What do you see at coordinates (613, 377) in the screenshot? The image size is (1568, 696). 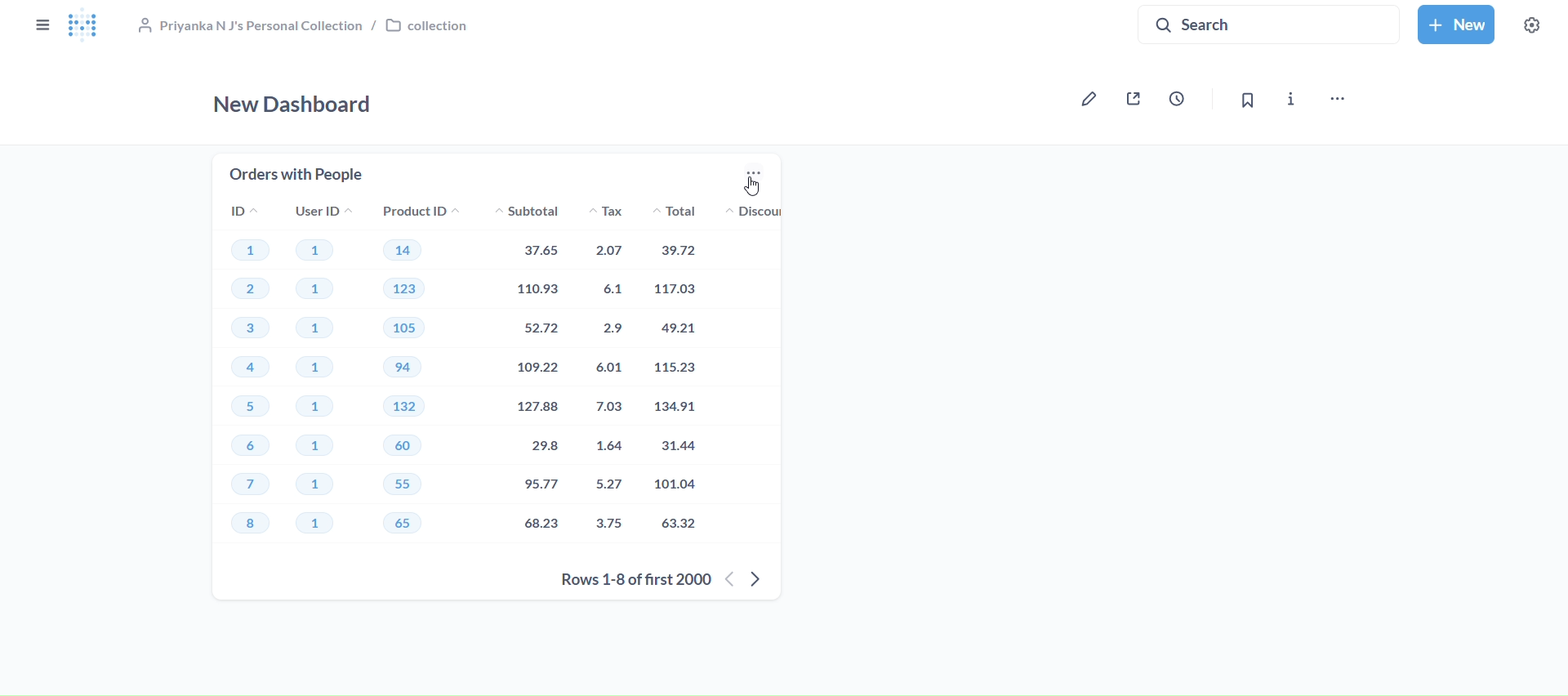 I see `tax` at bounding box center [613, 377].